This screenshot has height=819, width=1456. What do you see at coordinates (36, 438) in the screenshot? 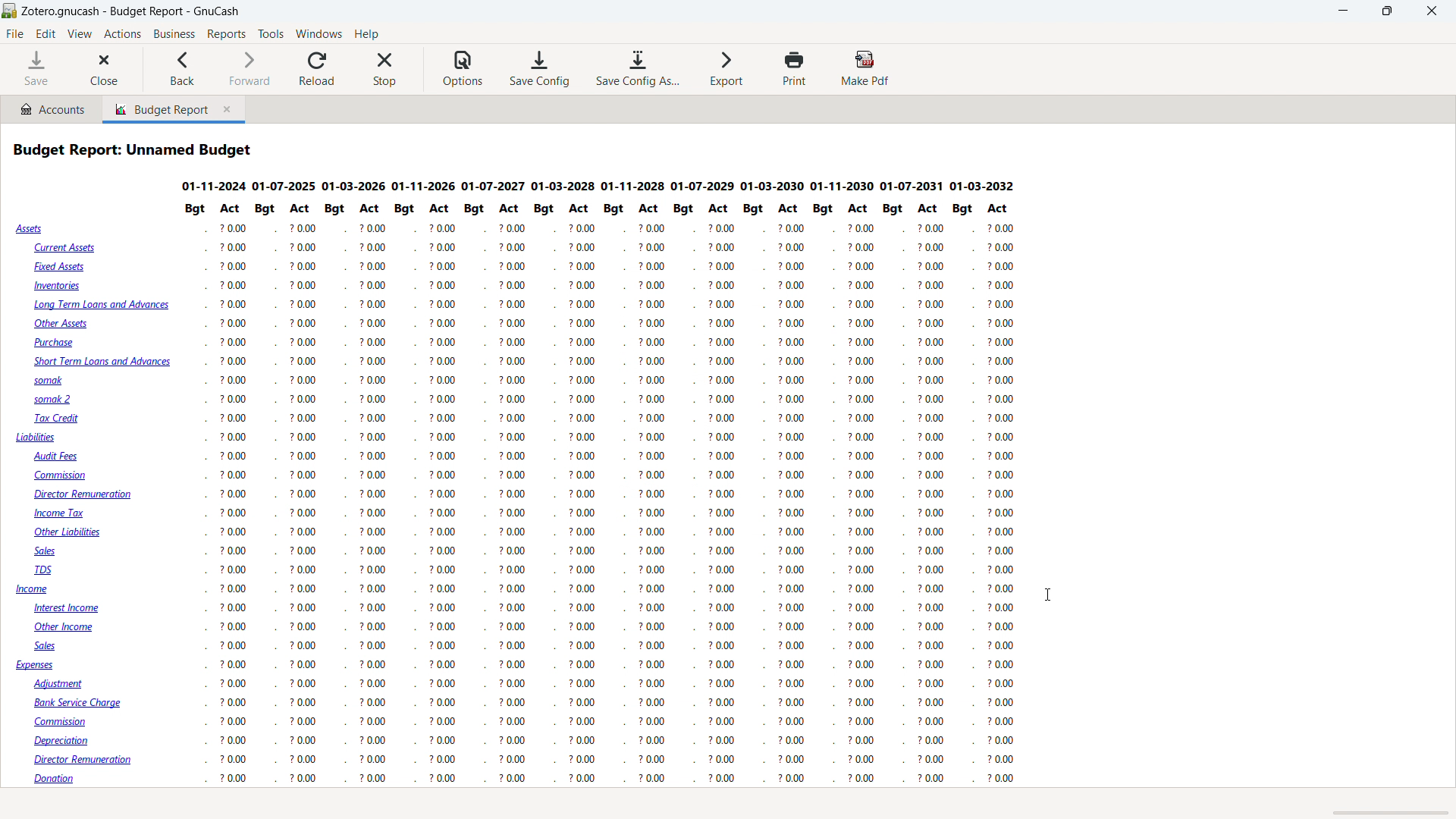
I see `Liabilities` at bounding box center [36, 438].